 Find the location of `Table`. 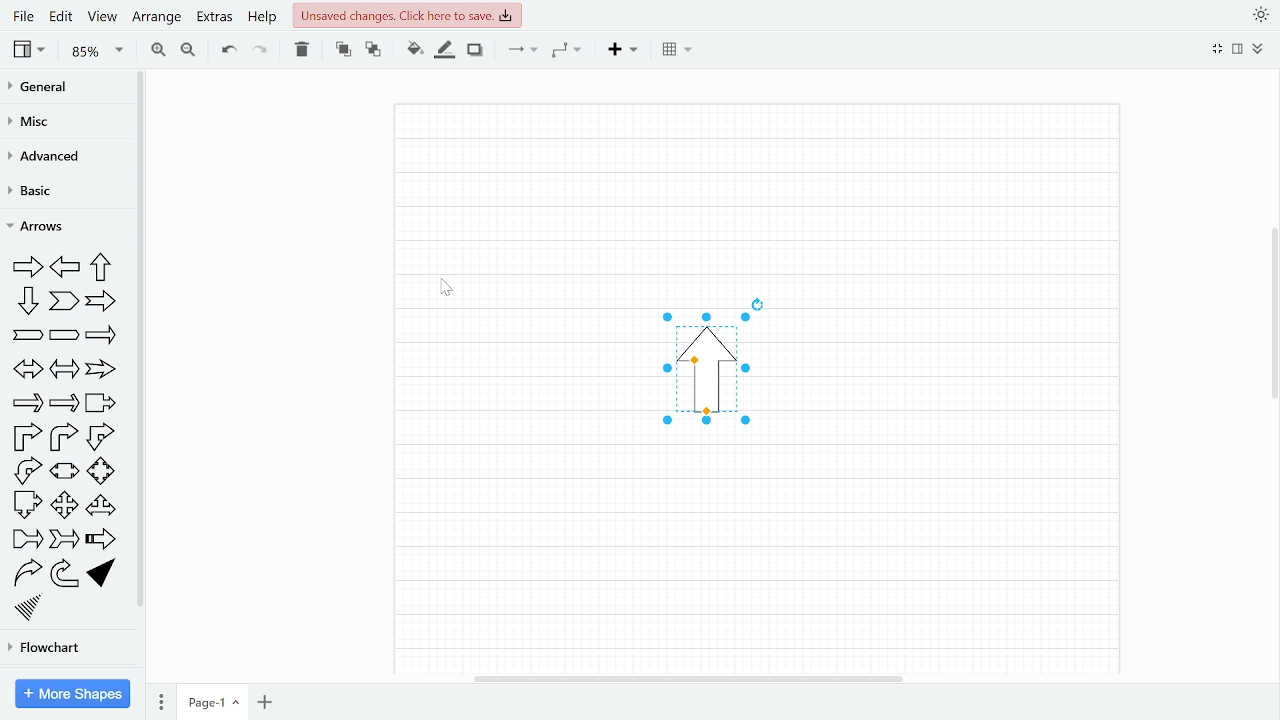

Table is located at coordinates (677, 51).